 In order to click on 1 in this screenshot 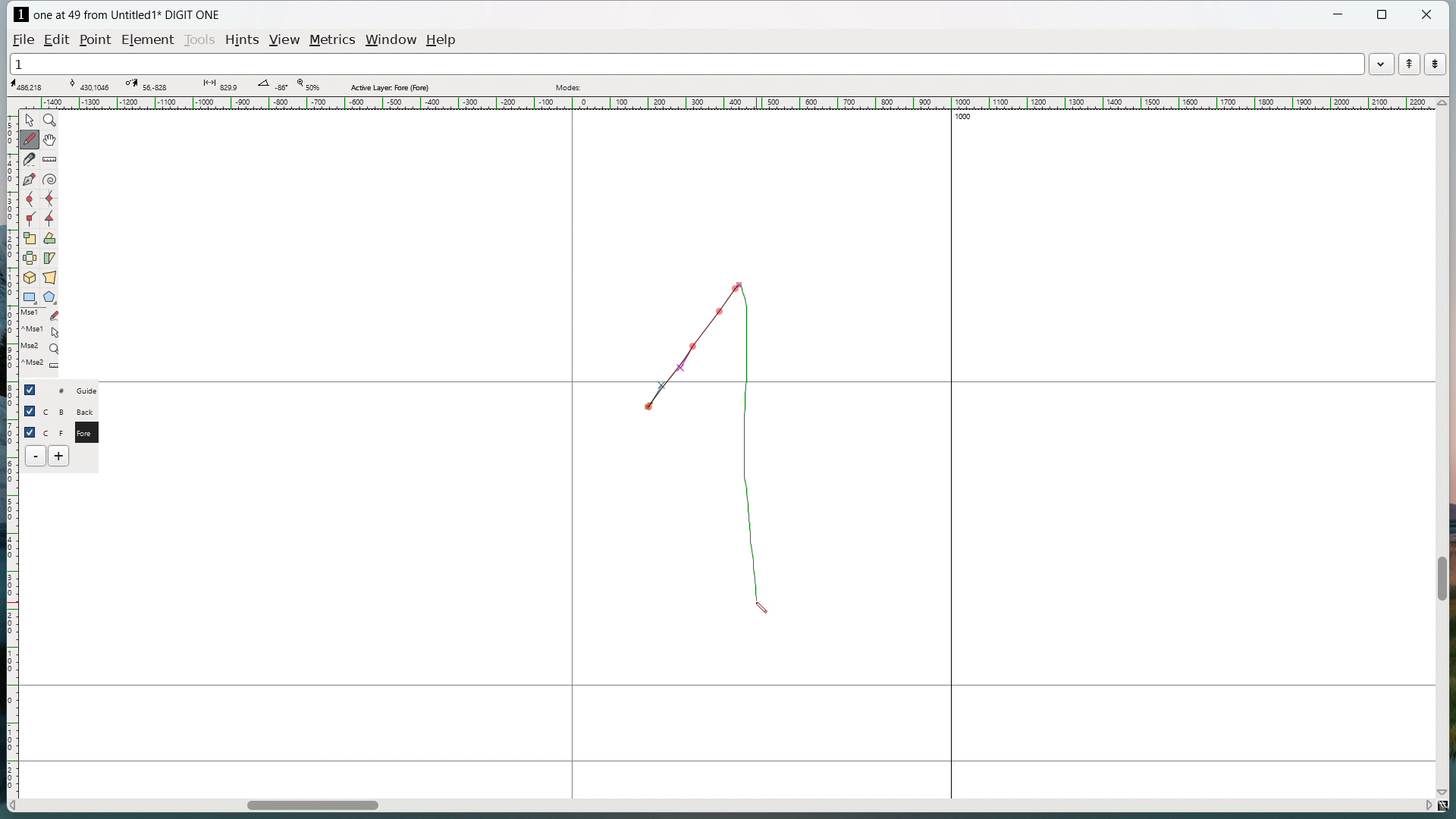, I will do `click(686, 63)`.